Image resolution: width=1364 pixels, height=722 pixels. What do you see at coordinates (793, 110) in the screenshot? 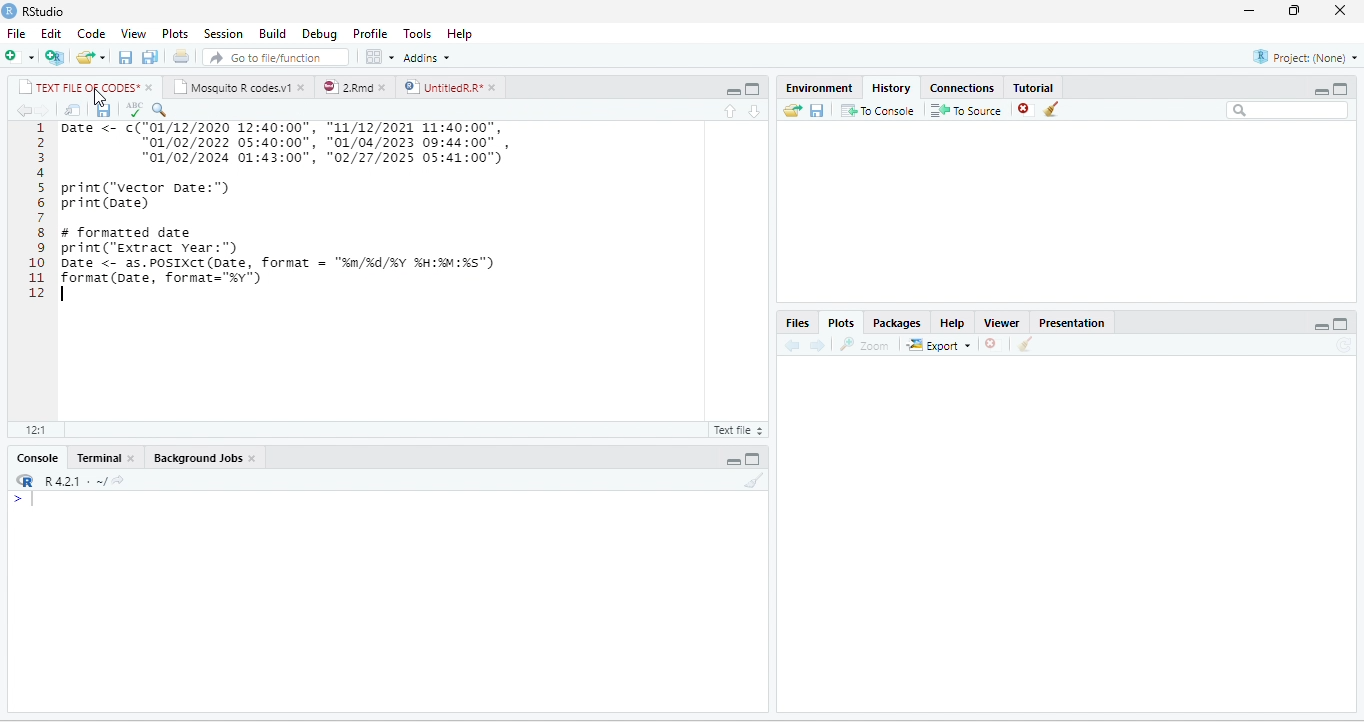
I see `open folder` at bounding box center [793, 110].